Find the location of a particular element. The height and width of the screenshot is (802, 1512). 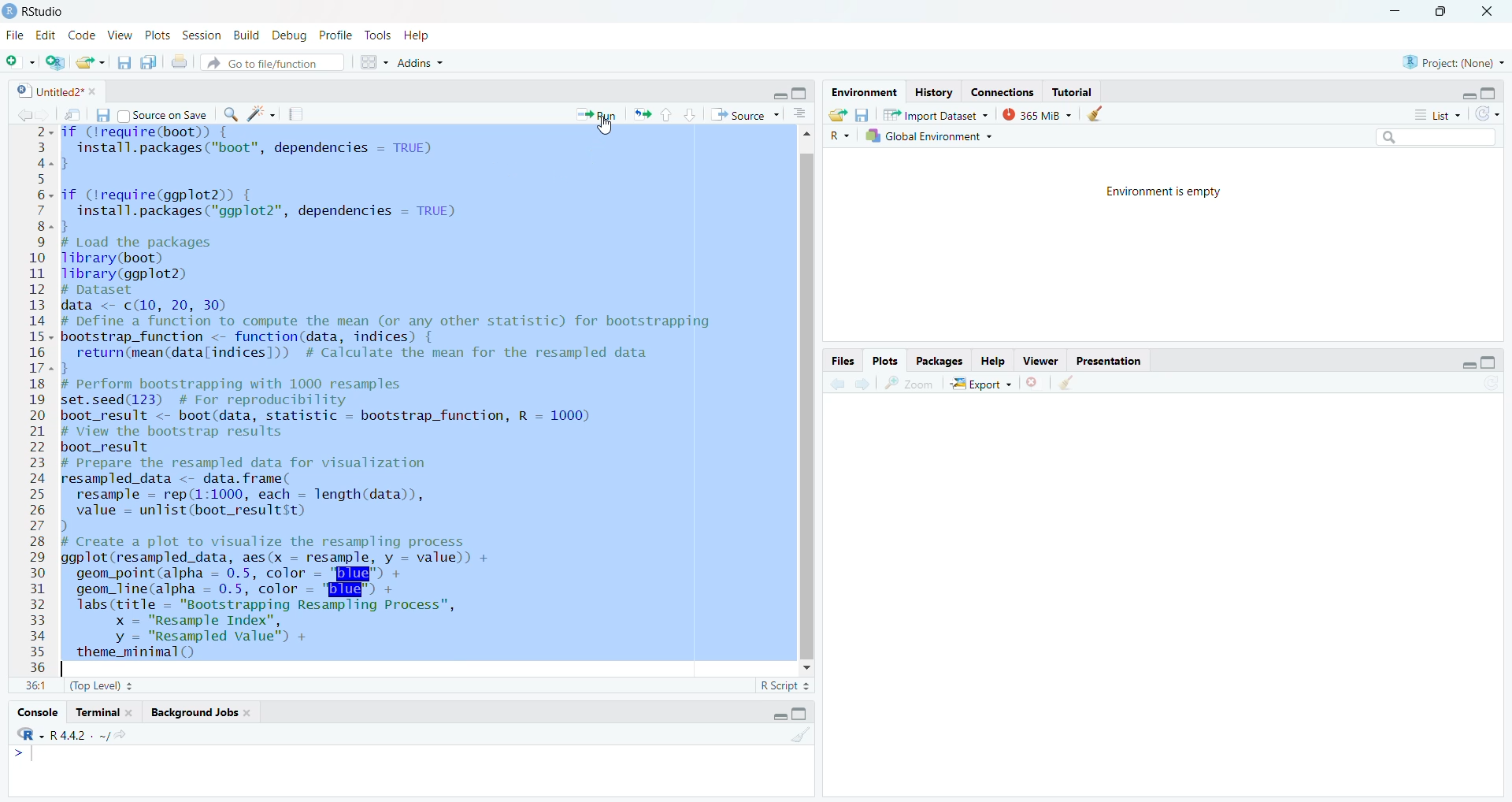

zoom is located at coordinates (910, 383).